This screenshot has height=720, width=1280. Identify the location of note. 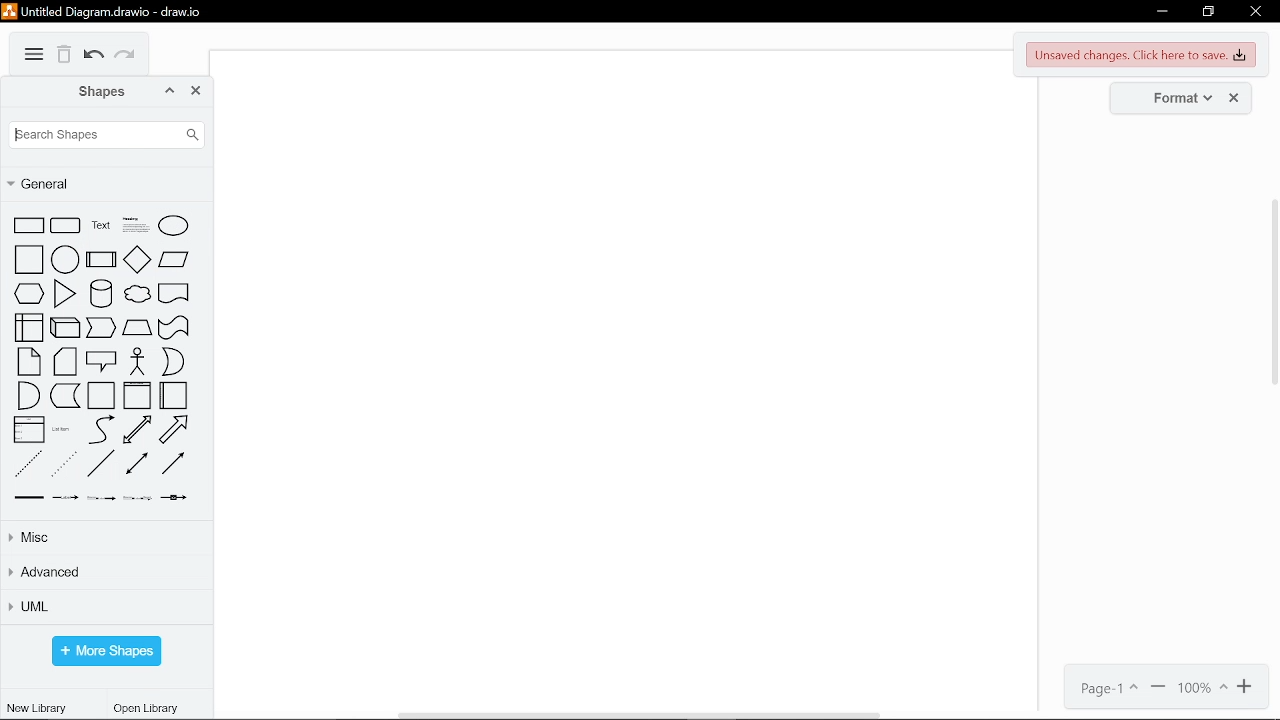
(28, 363).